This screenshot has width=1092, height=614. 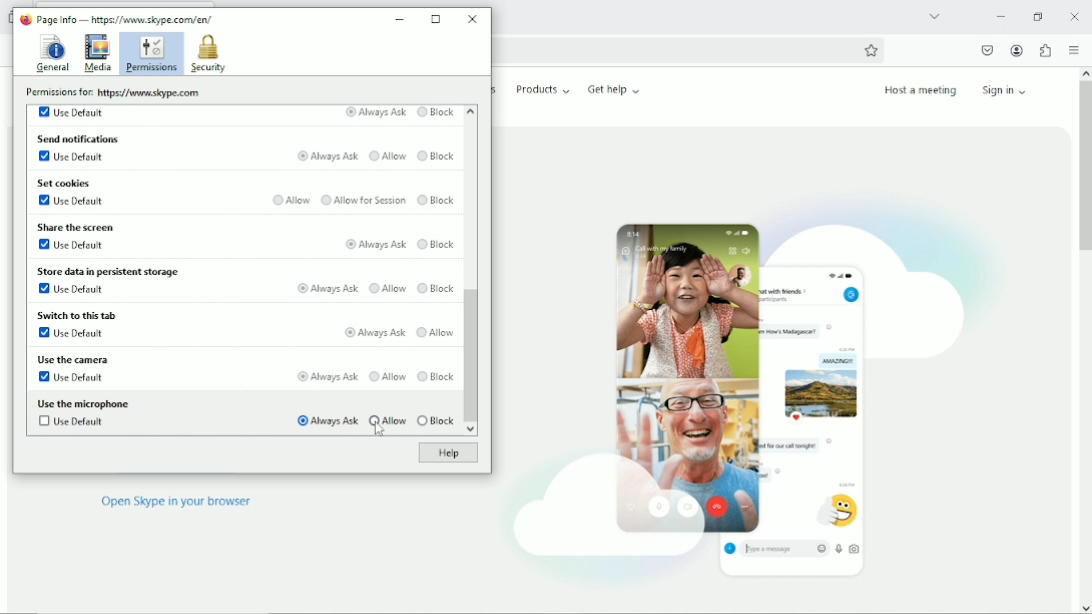 What do you see at coordinates (470, 110) in the screenshot?
I see `scroll up` at bounding box center [470, 110].